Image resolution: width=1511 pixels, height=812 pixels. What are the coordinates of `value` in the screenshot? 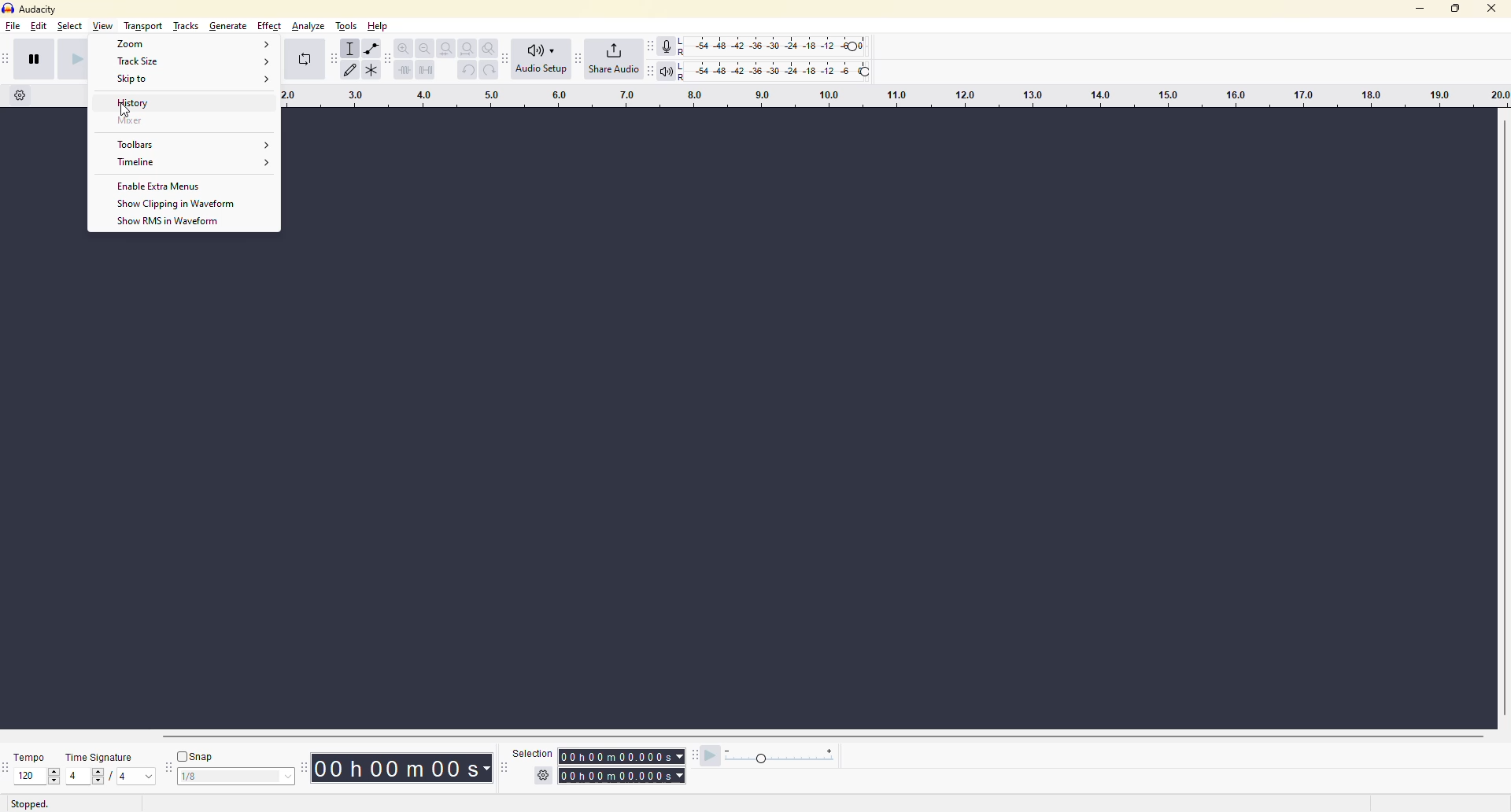 It's located at (87, 776).